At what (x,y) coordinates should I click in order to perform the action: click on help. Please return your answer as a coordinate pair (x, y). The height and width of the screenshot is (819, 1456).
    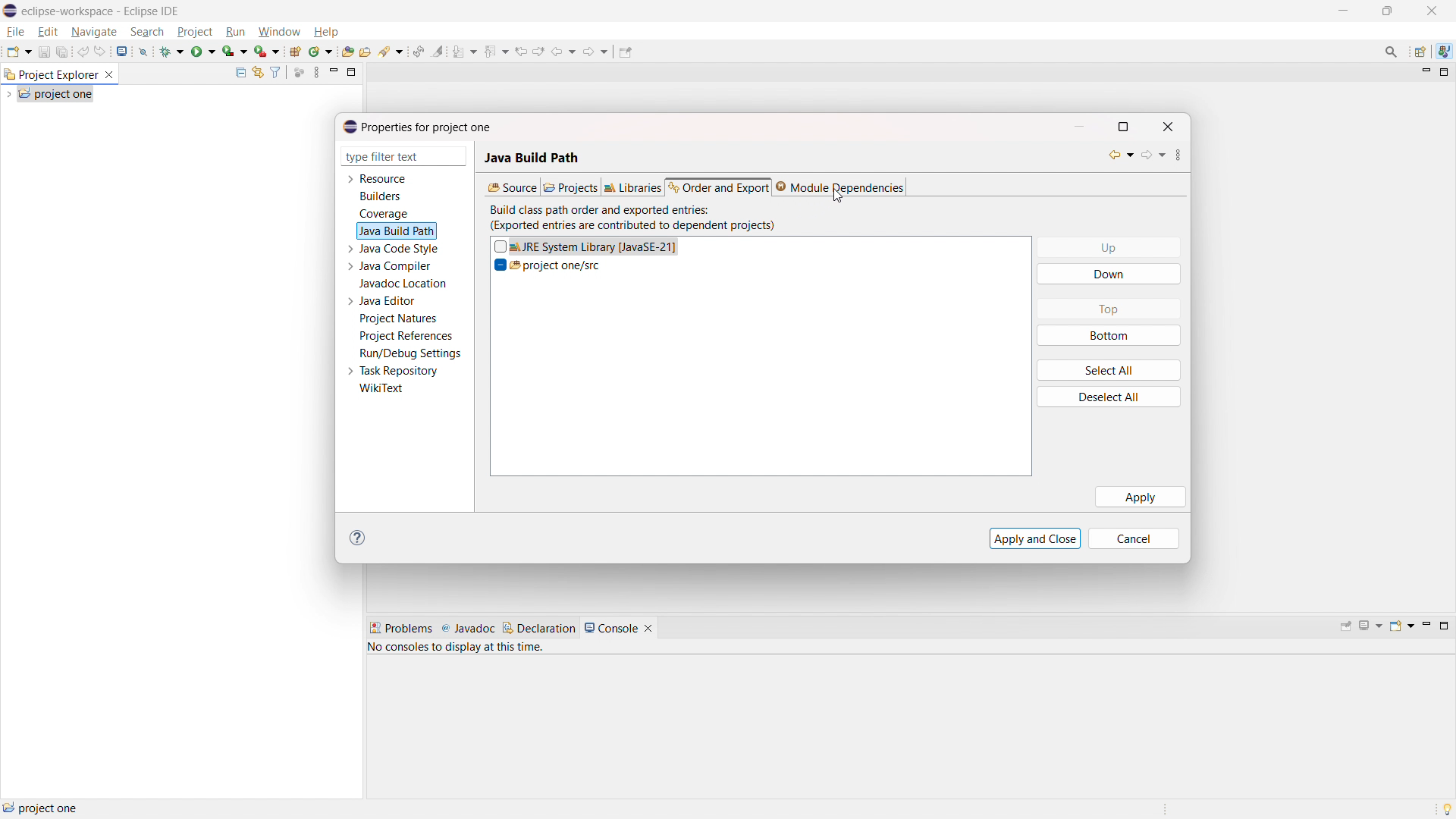
    Looking at the image, I should click on (325, 32).